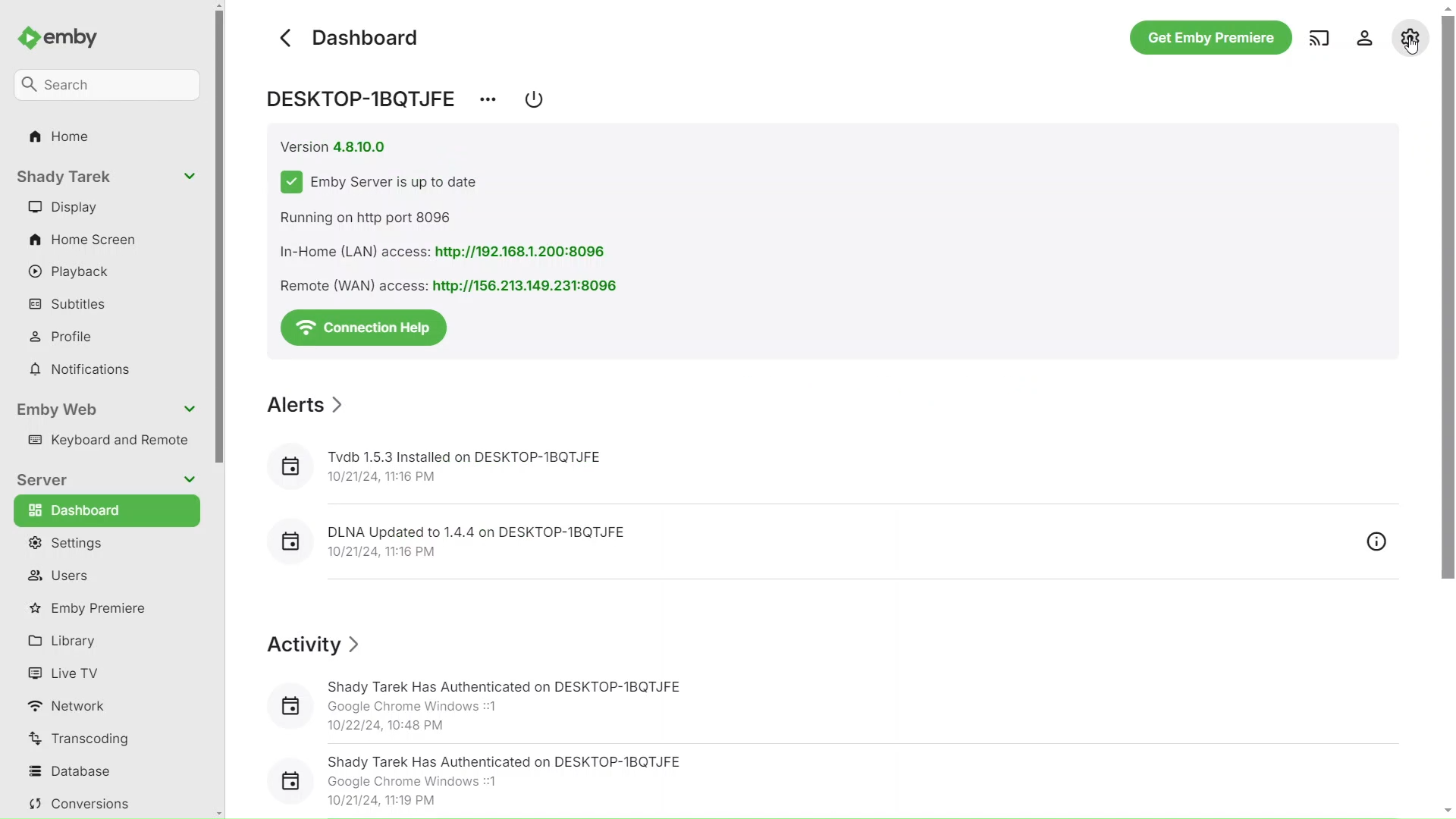  What do you see at coordinates (538, 538) in the screenshot?
I see `[i] DLNA Updated to 1.4.4 on DESKTOP-1BQTJFE
10/21/24, 11:16 PM` at bounding box center [538, 538].